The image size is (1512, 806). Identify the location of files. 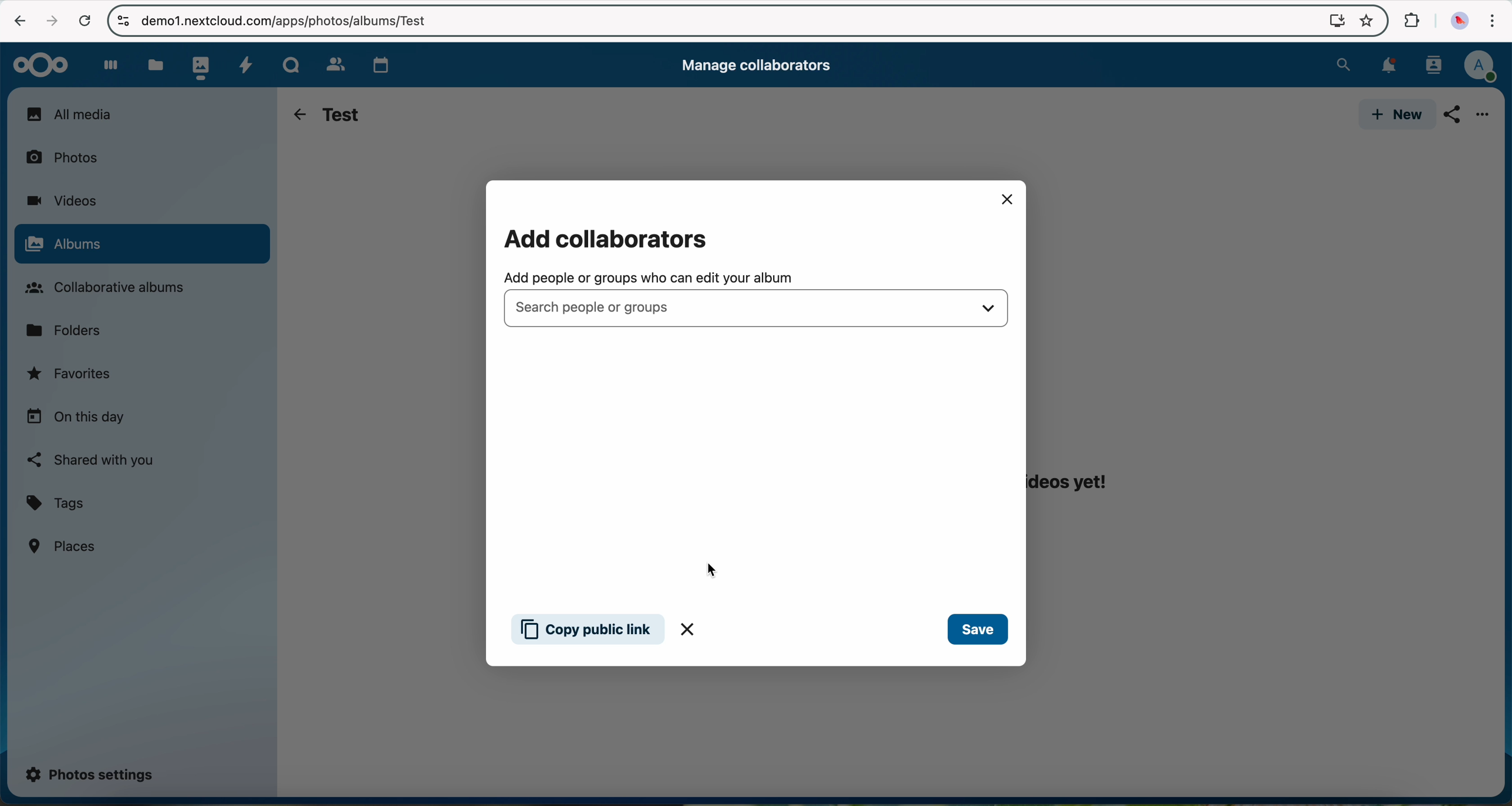
(154, 65).